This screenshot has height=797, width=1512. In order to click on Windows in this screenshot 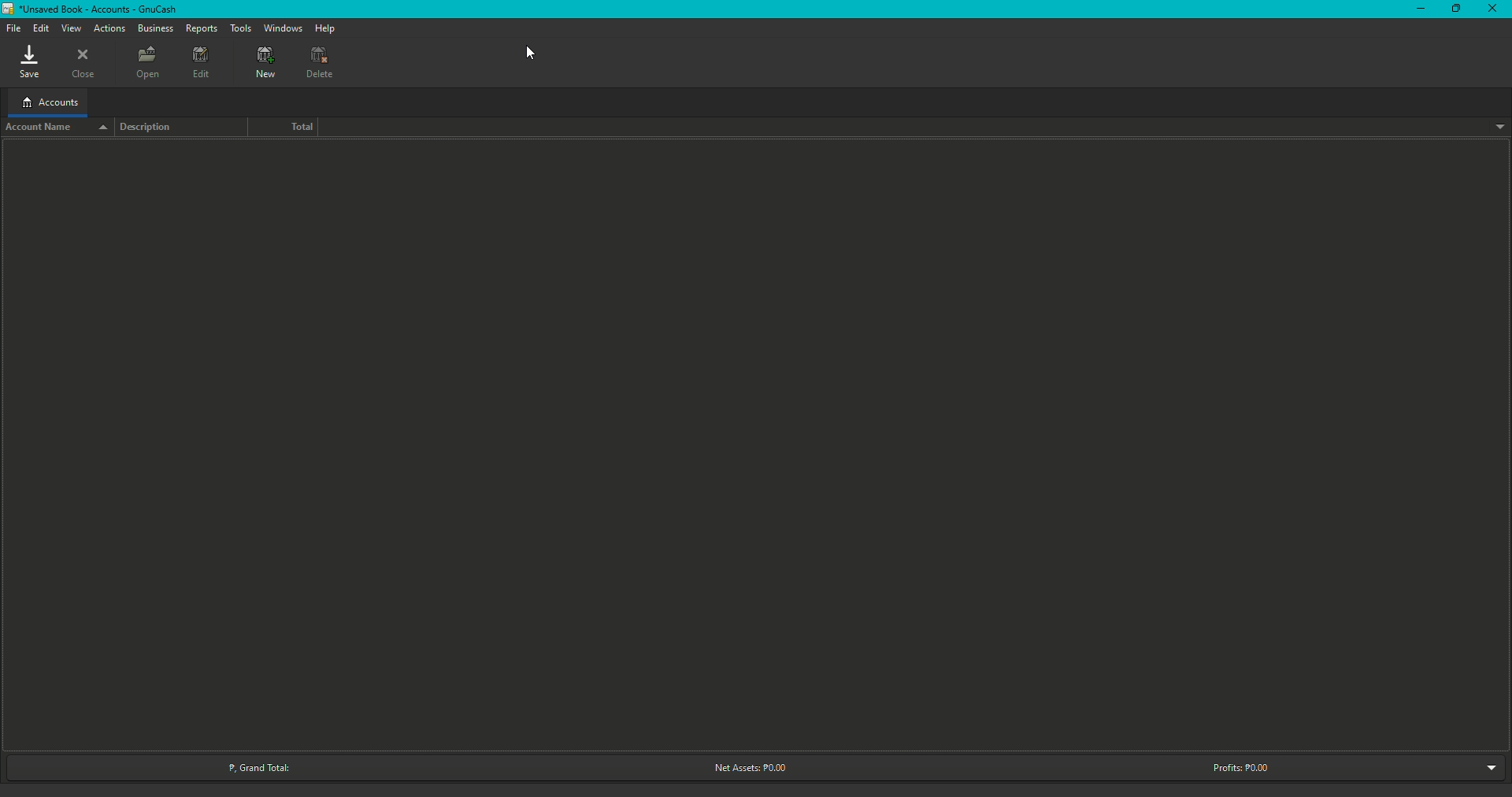, I will do `click(283, 28)`.